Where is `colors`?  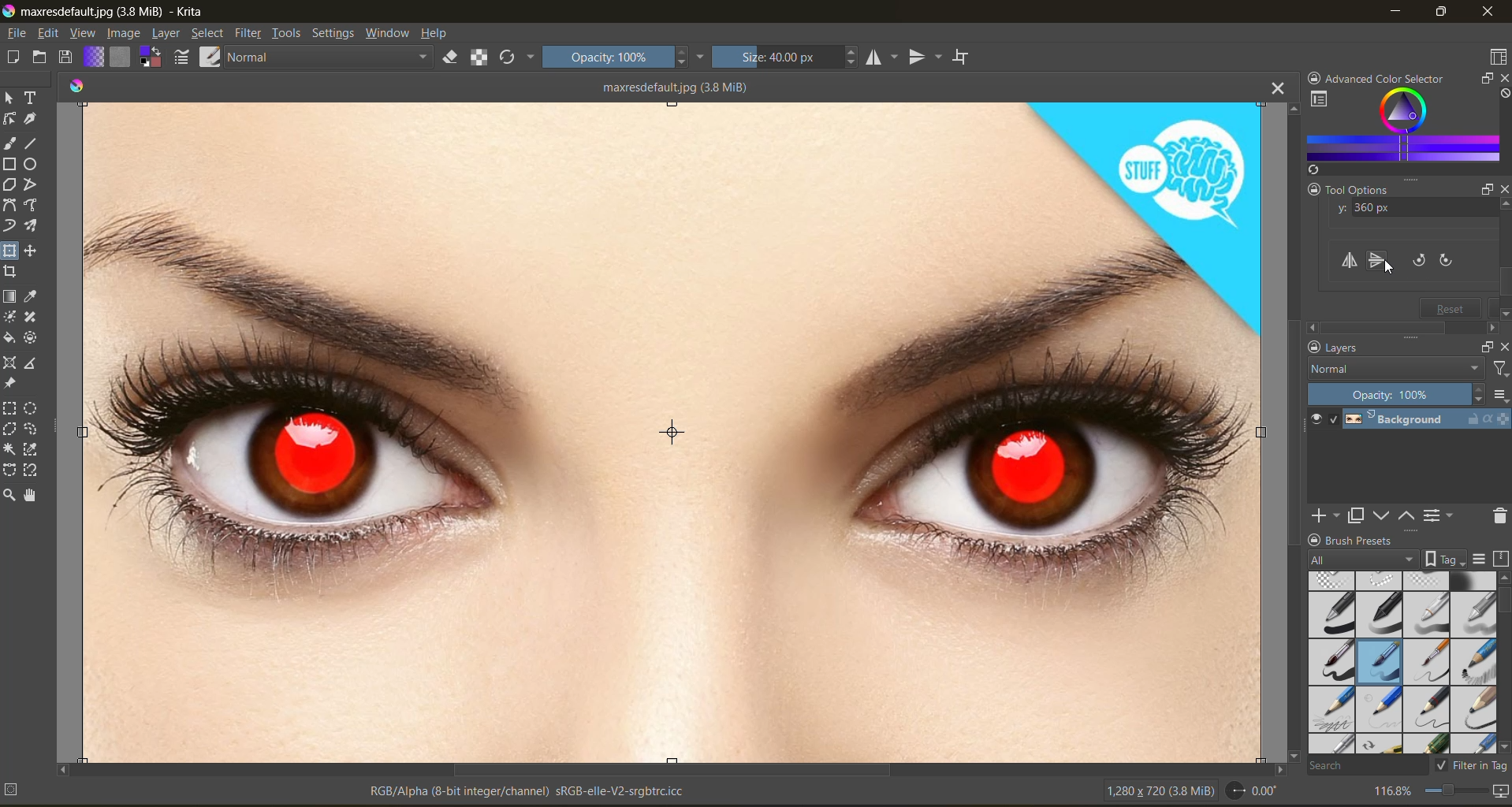 colors is located at coordinates (79, 83).